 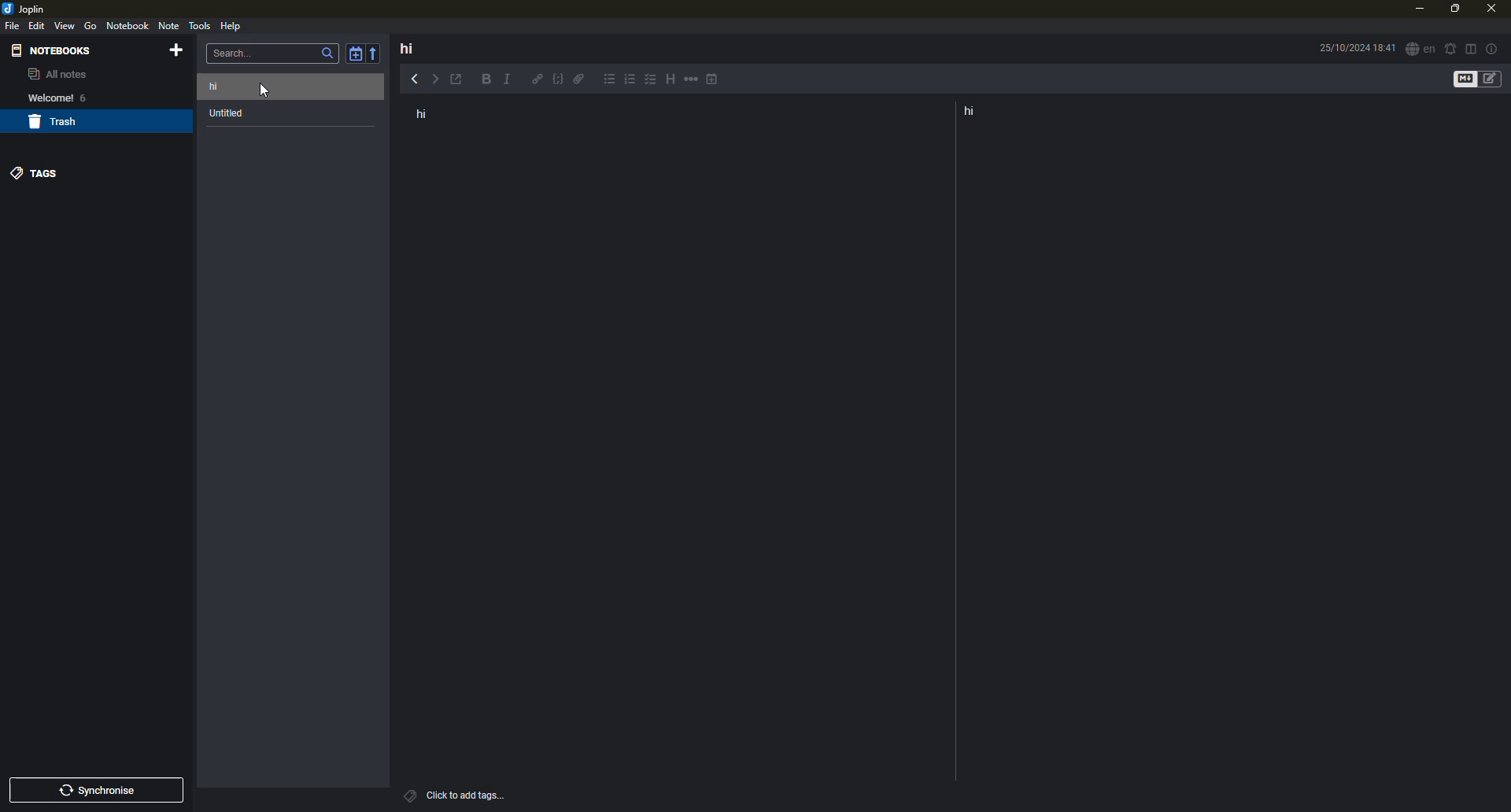 I want to click on welcome!, so click(x=46, y=98).